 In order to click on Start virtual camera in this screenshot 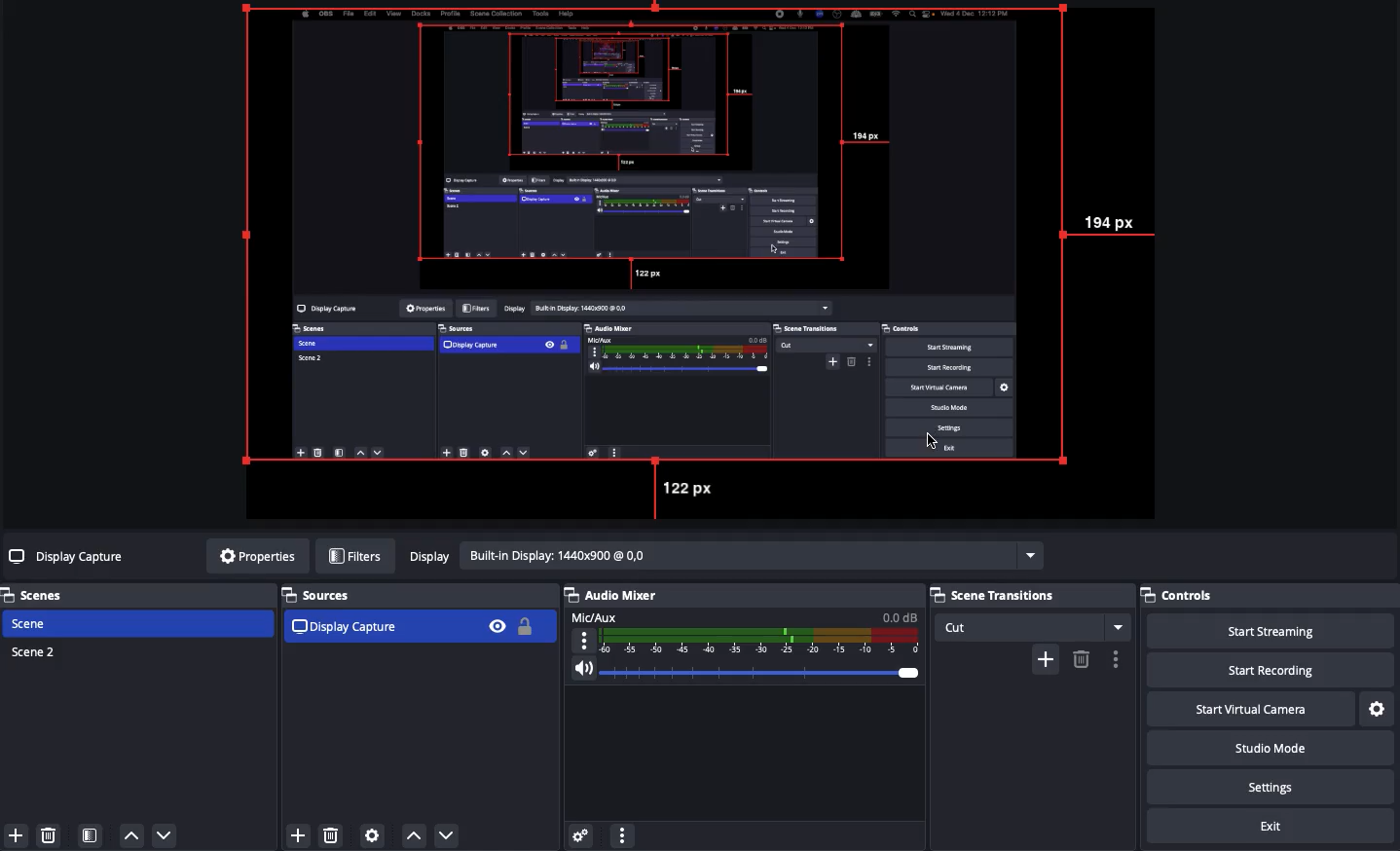, I will do `click(1269, 708)`.